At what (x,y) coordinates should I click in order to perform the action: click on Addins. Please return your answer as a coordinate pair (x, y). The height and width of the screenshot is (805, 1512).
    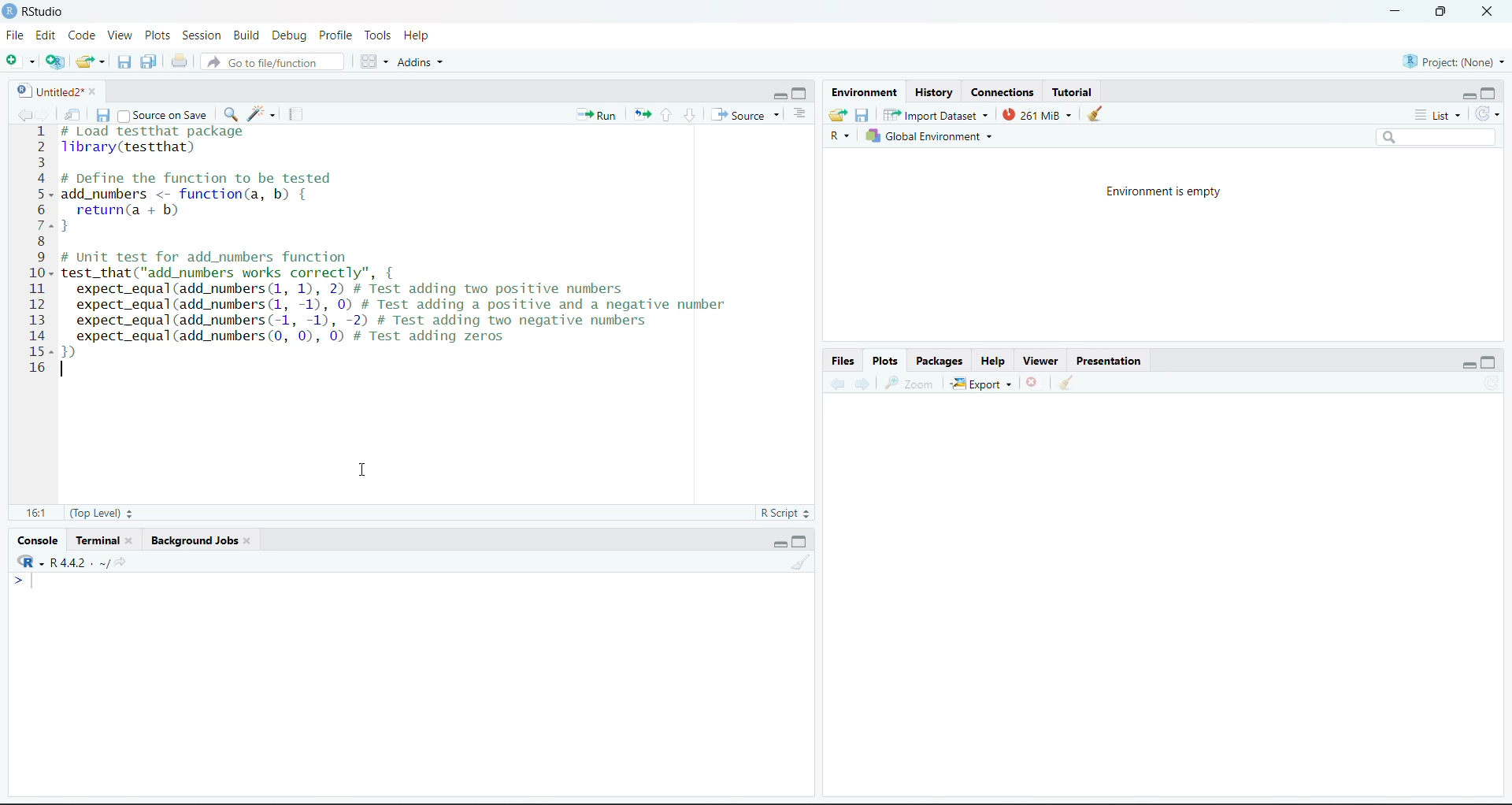
    Looking at the image, I should click on (421, 61).